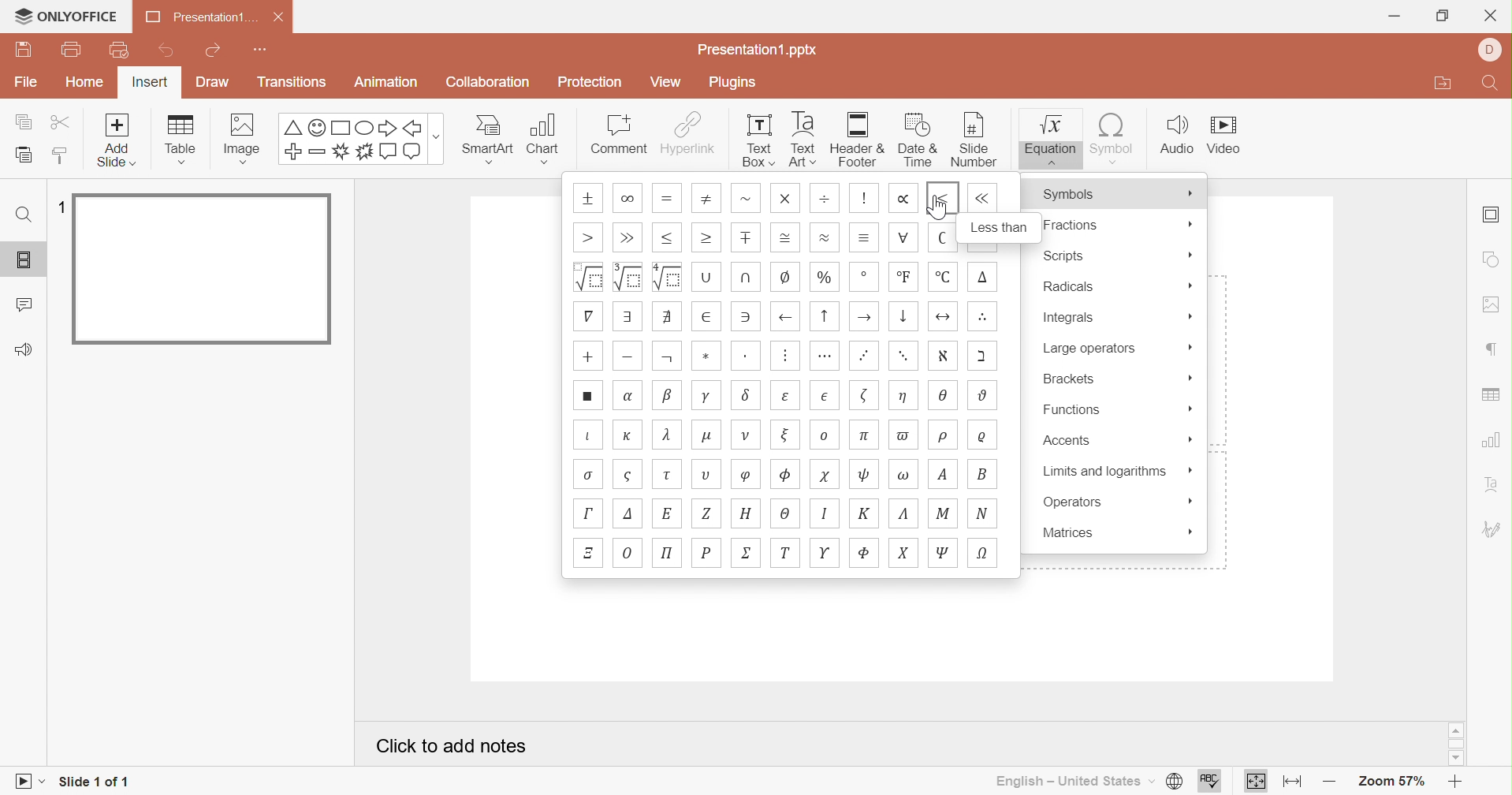 This screenshot has height=795, width=1512. Describe the element at coordinates (619, 136) in the screenshot. I see `Comment` at that location.